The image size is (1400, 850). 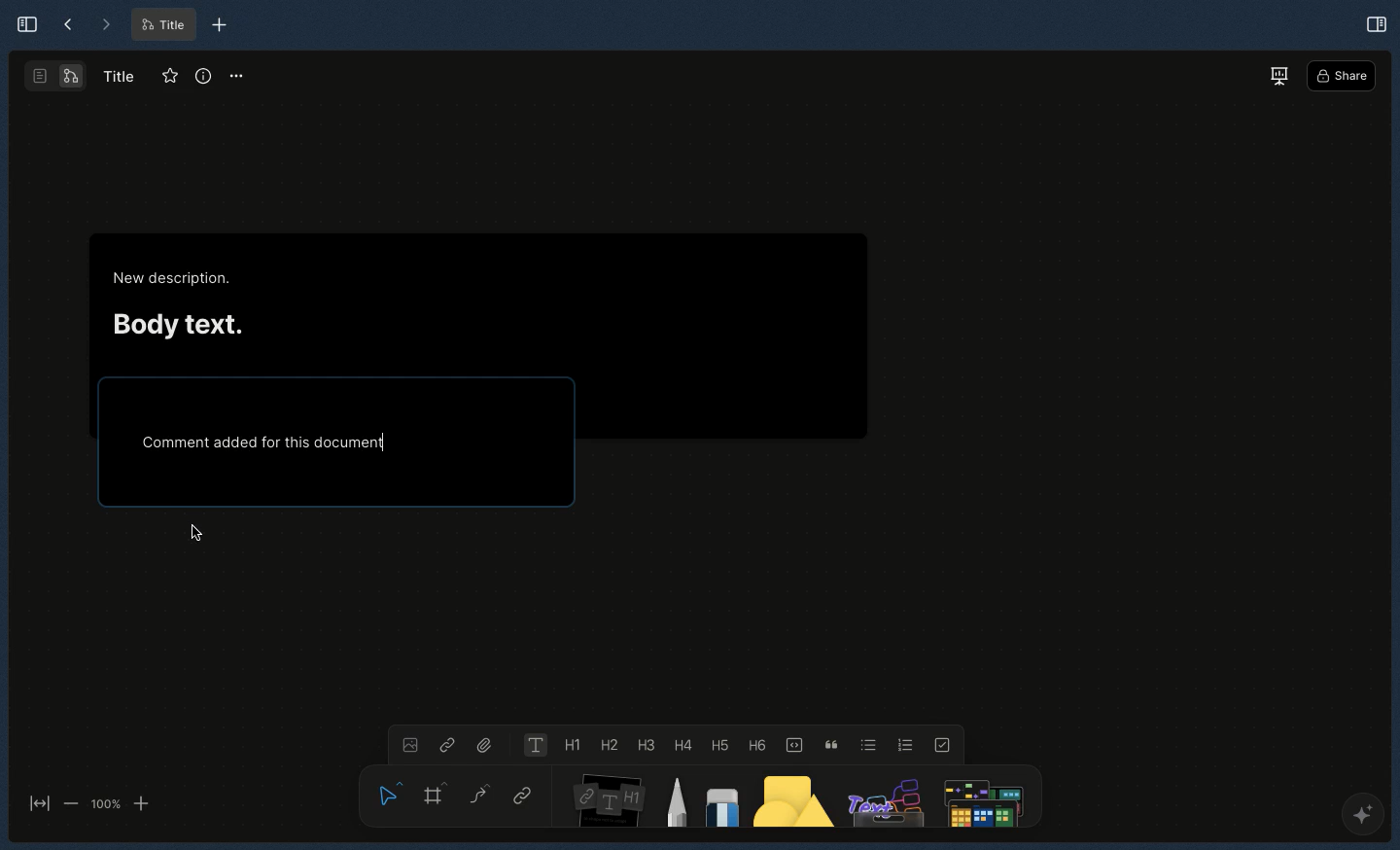 What do you see at coordinates (570, 746) in the screenshot?
I see `Heading 1` at bounding box center [570, 746].